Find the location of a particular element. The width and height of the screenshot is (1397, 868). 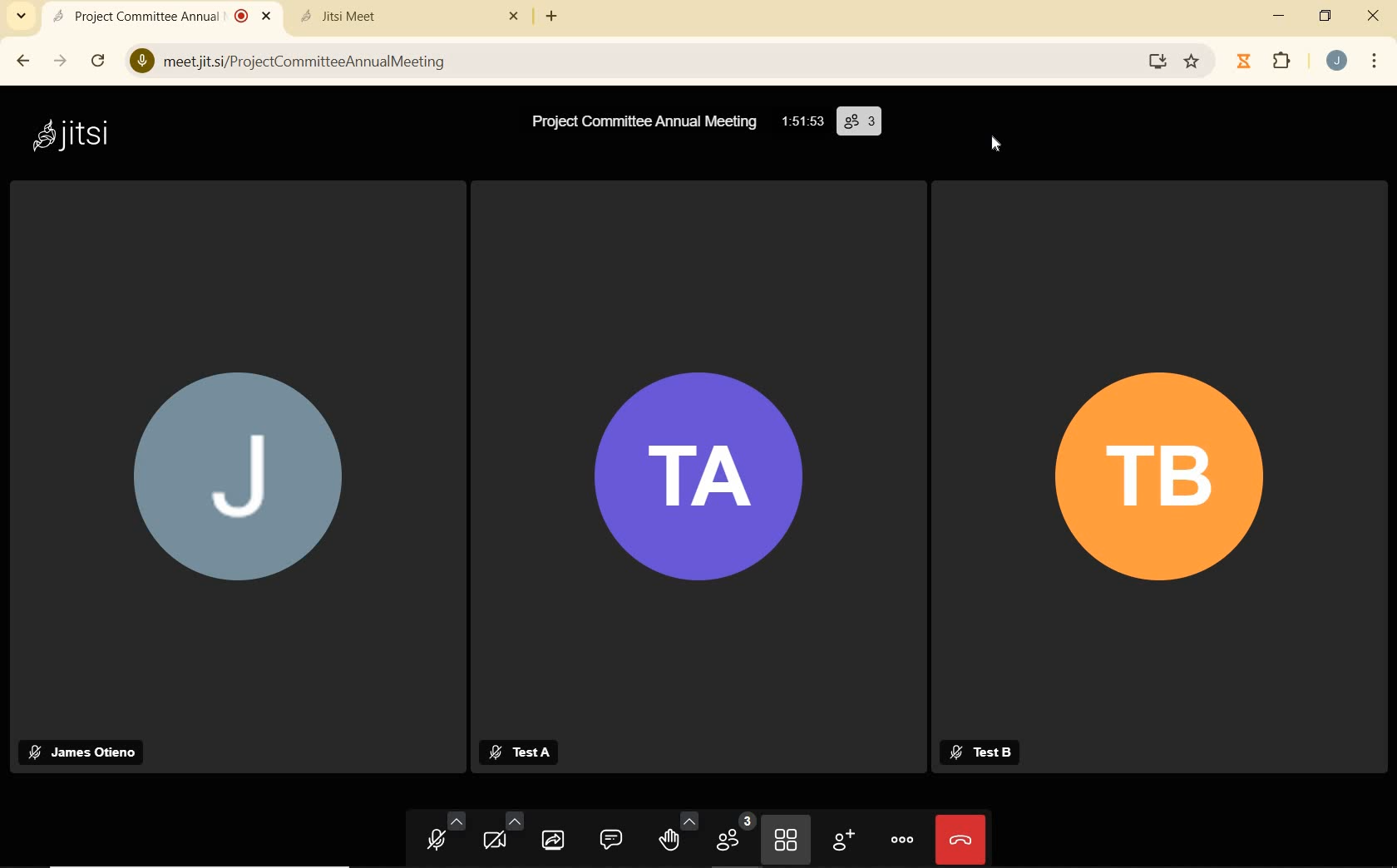

timer is located at coordinates (801, 121).